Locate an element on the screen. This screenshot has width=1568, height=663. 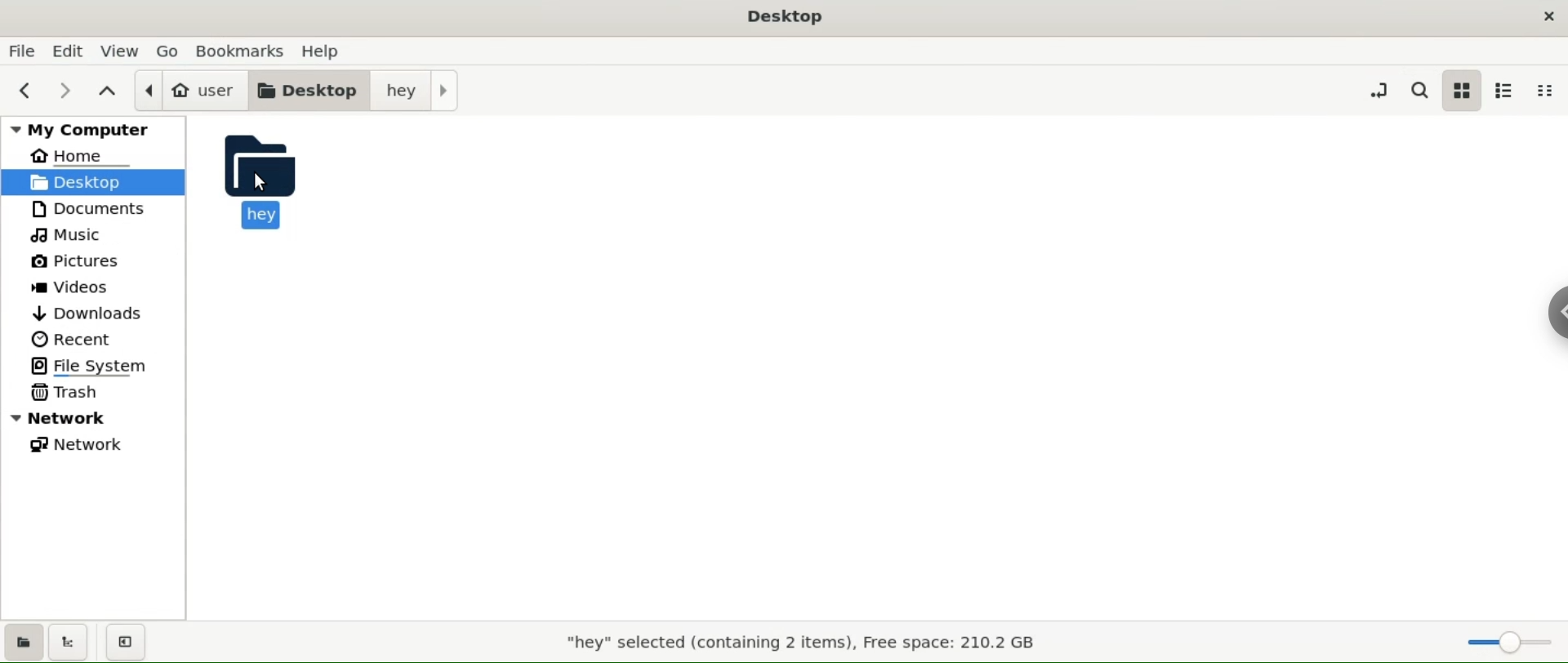
pictures is located at coordinates (73, 261).